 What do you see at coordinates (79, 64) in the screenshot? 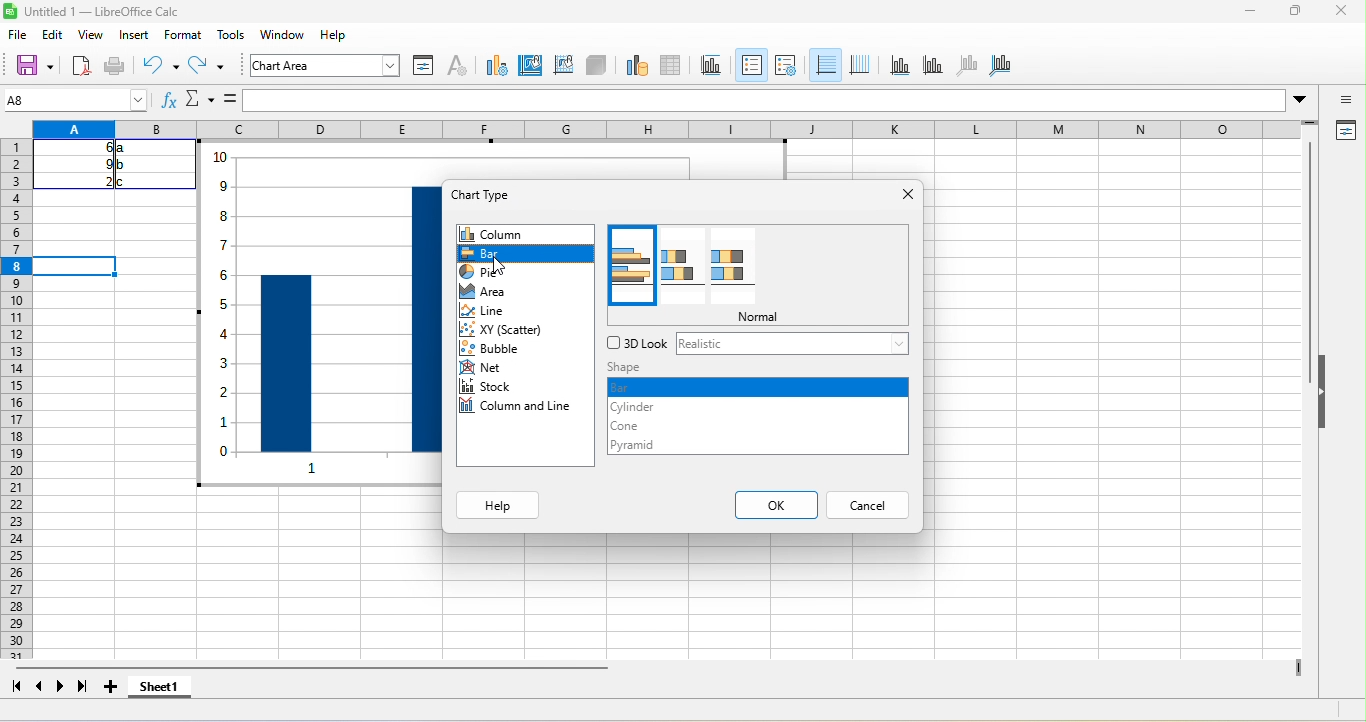
I see `open` at bounding box center [79, 64].